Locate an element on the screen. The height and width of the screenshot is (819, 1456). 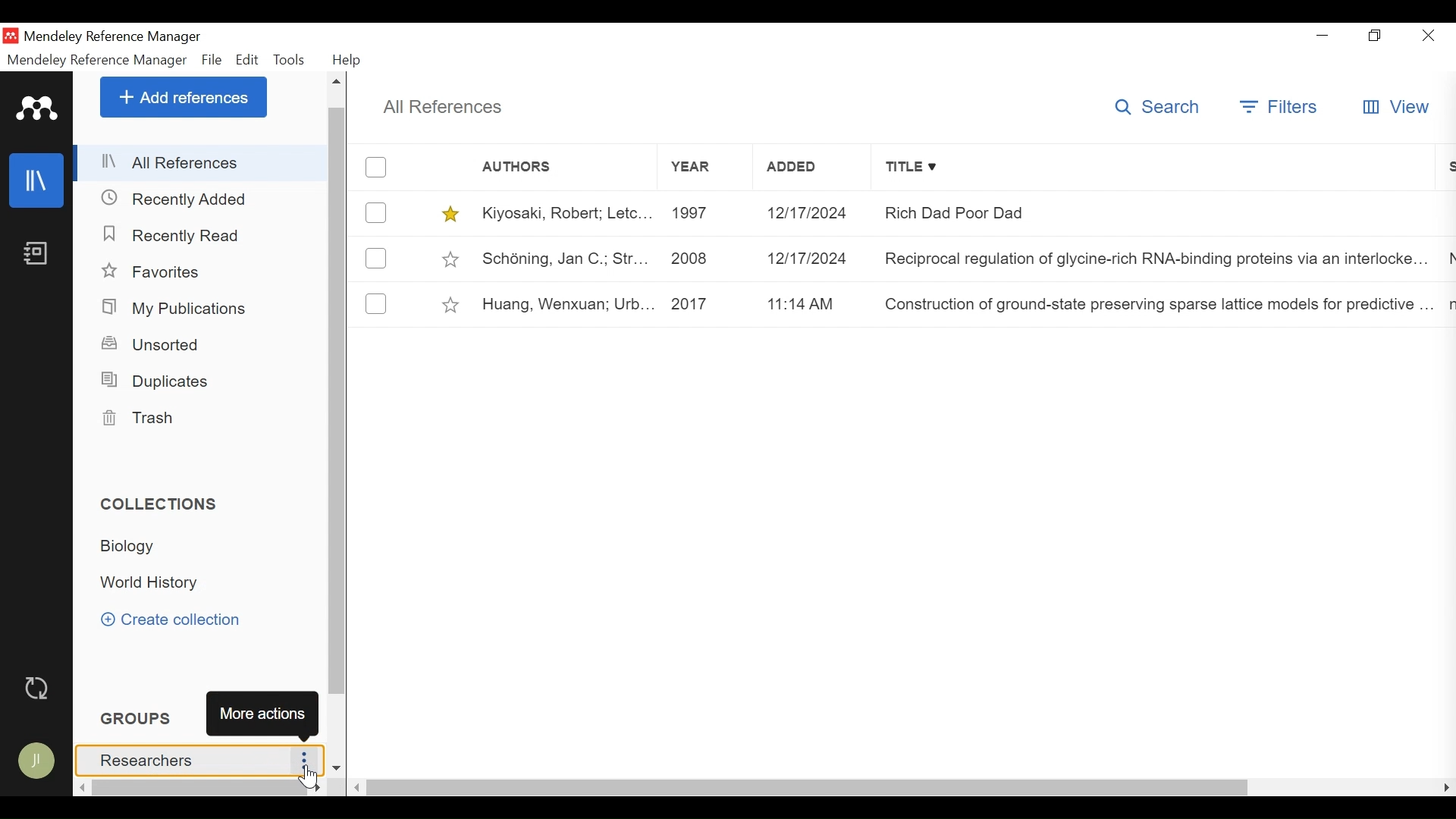
Avatar is located at coordinates (38, 762).